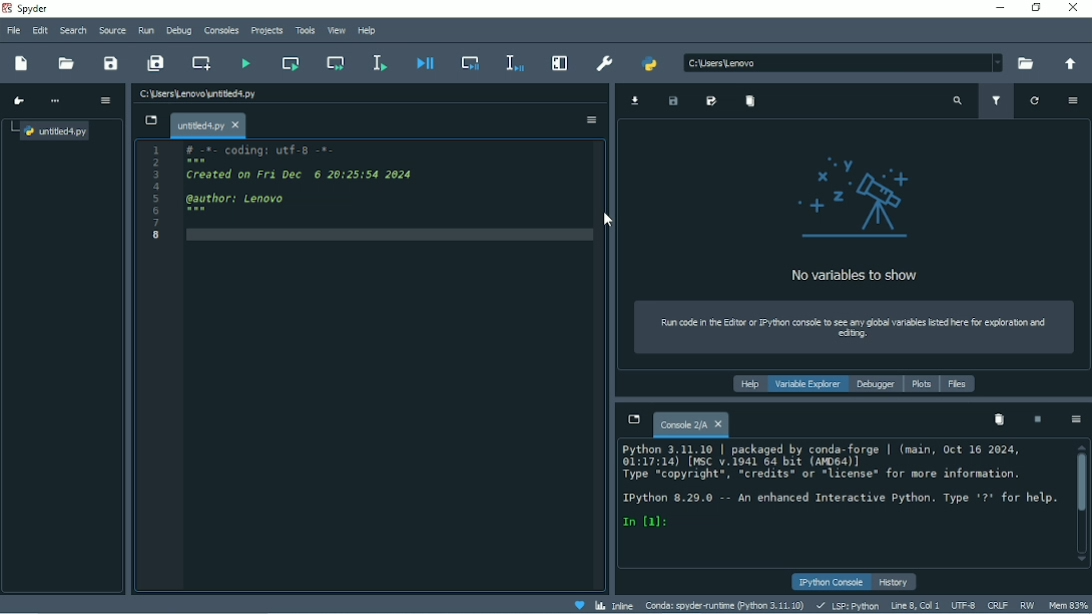 Image resolution: width=1092 pixels, height=614 pixels. I want to click on Search, so click(74, 31).